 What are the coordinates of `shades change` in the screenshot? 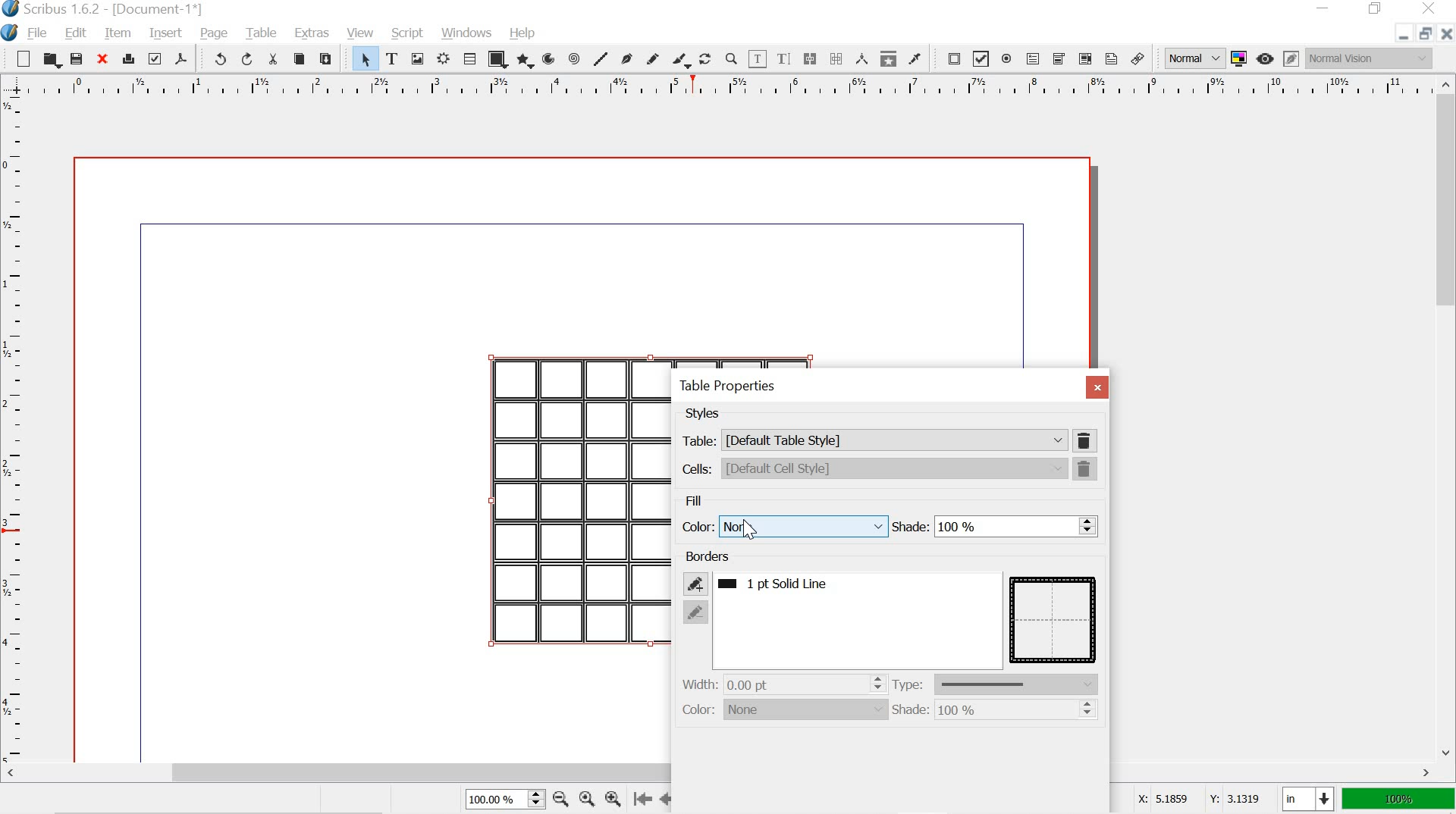 It's located at (1087, 524).